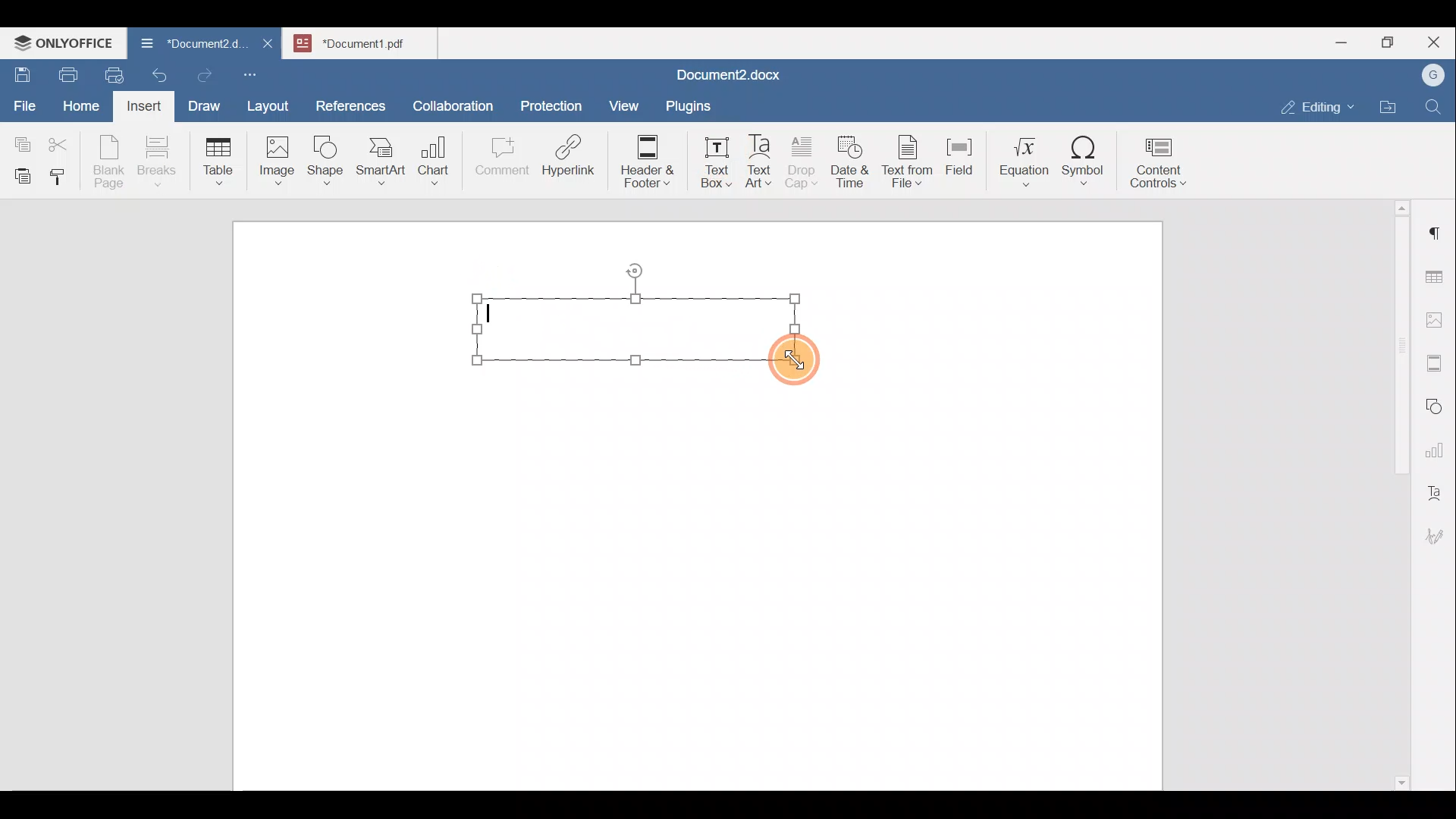  What do you see at coordinates (156, 162) in the screenshot?
I see `Breaks` at bounding box center [156, 162].